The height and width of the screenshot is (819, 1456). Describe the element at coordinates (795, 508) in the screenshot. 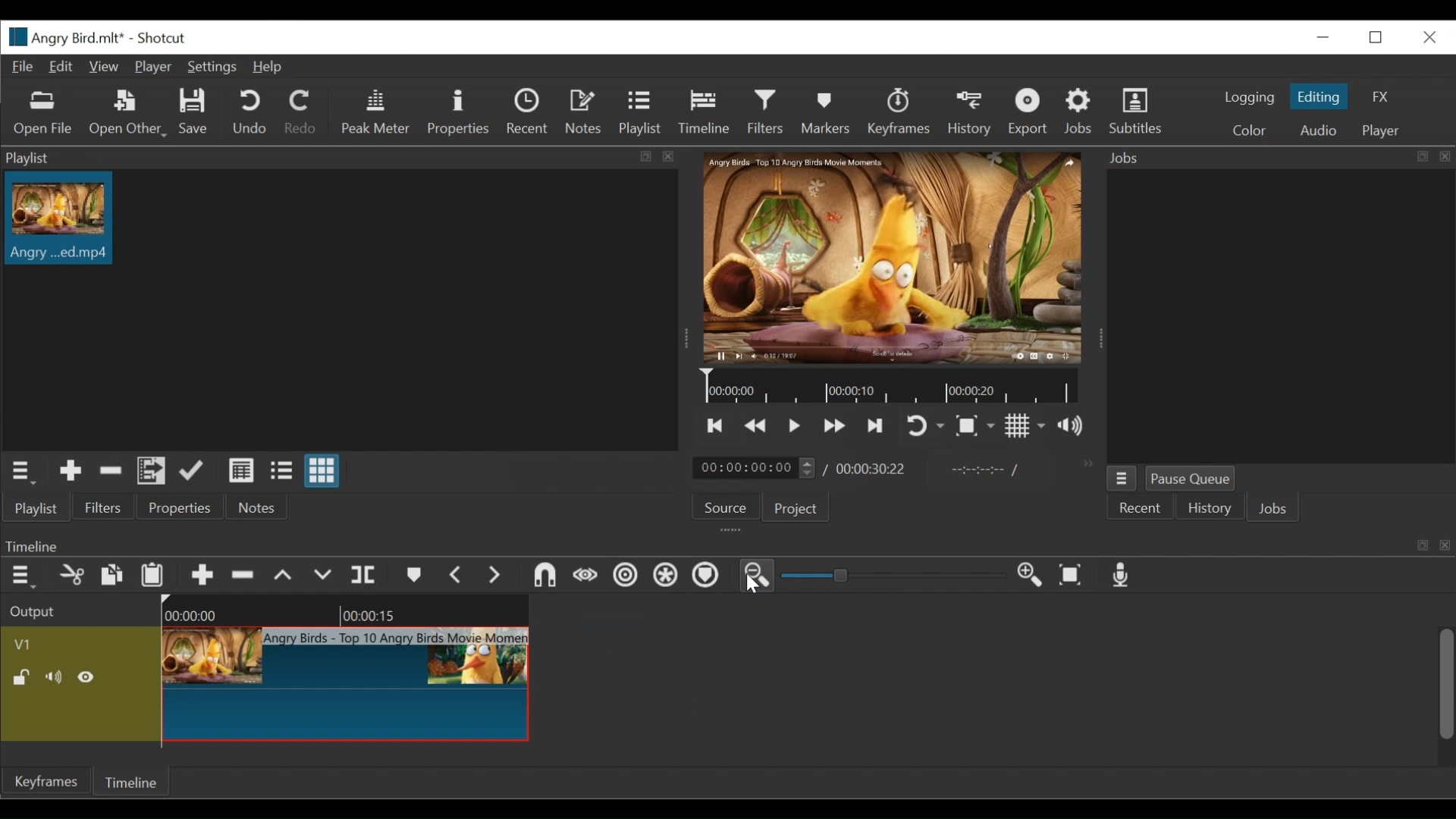

I see `Project` at that location.